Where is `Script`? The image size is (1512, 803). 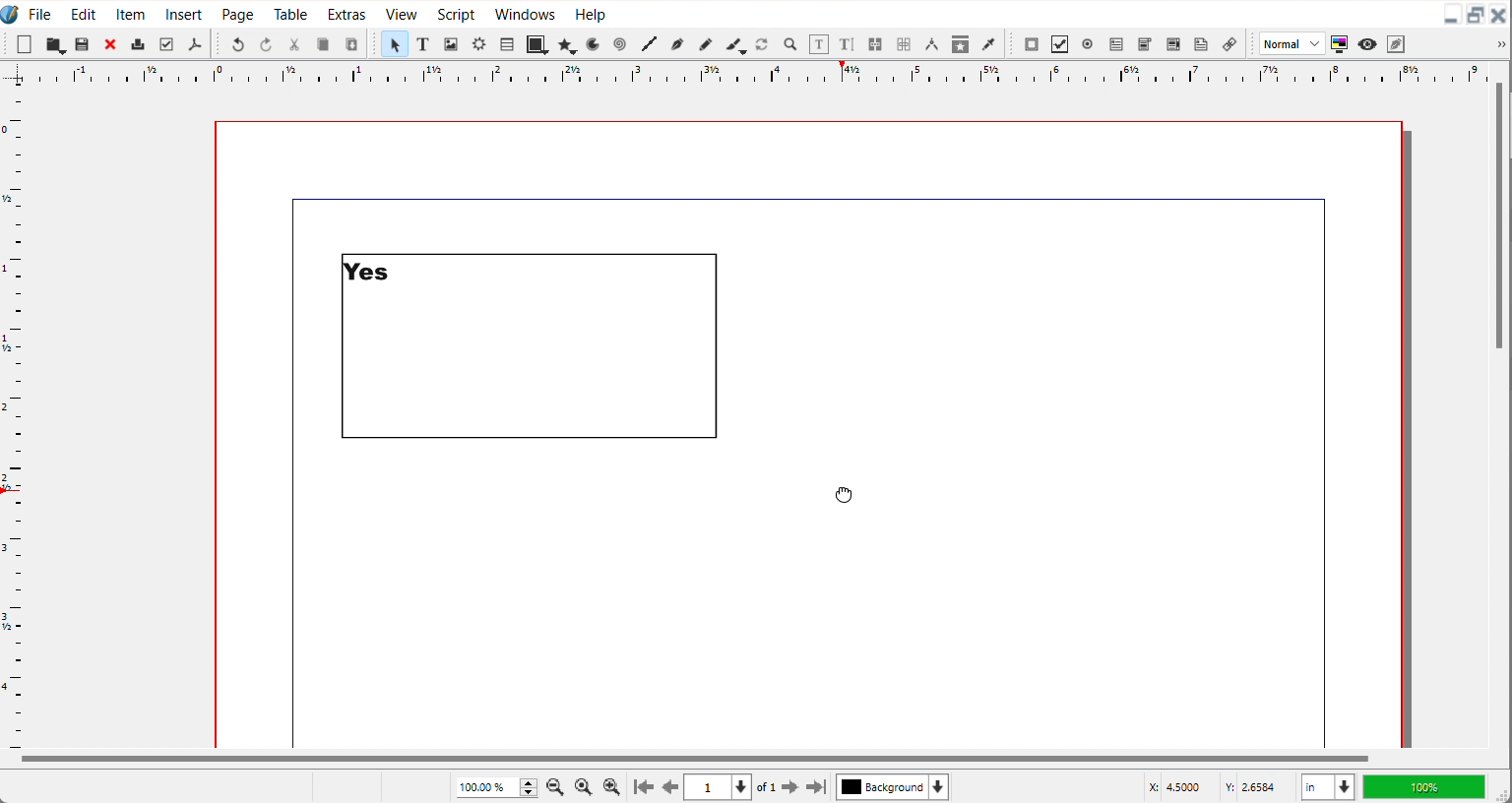
Script is located at coordinates (458, 13).